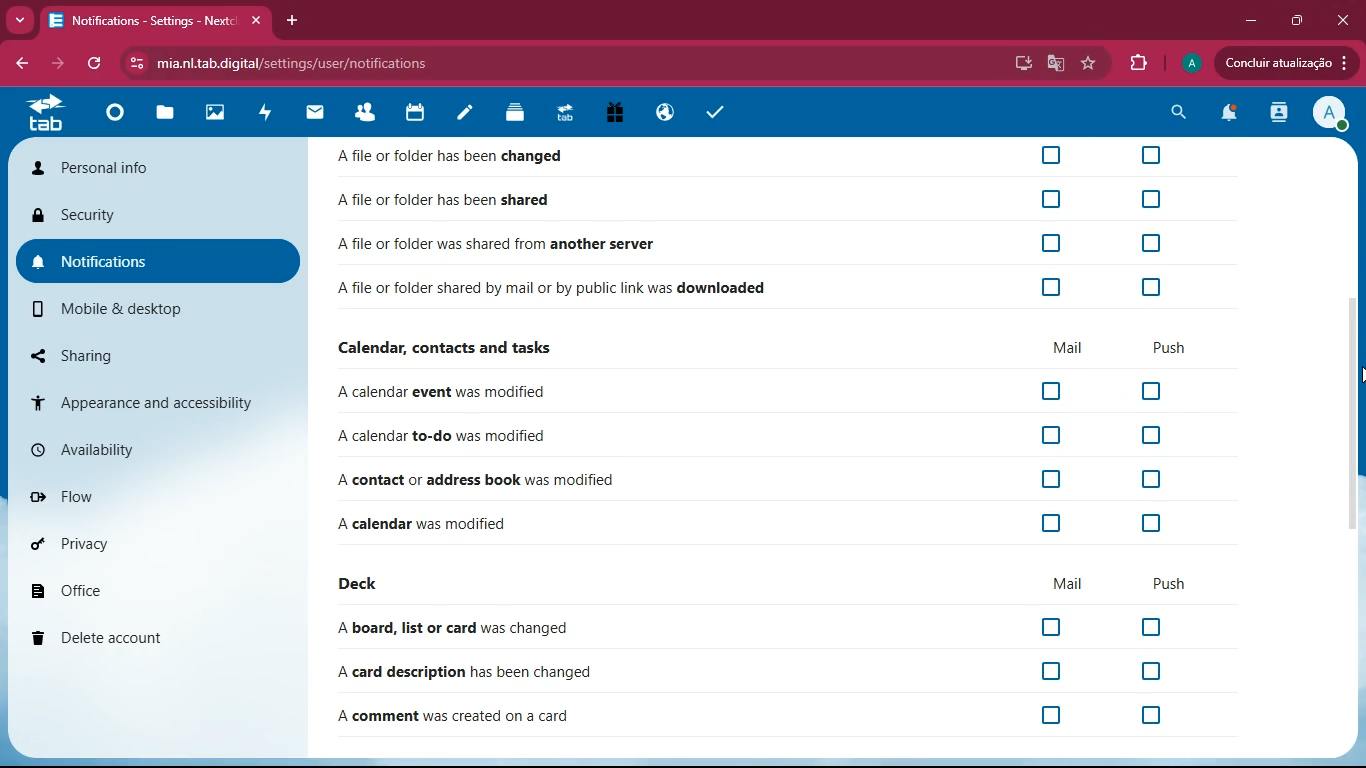 The image size is (1366, 768). What do you see at coordinates (421, 113) in the screenshot?
I see `calendar` at bounding box center [421, 113].